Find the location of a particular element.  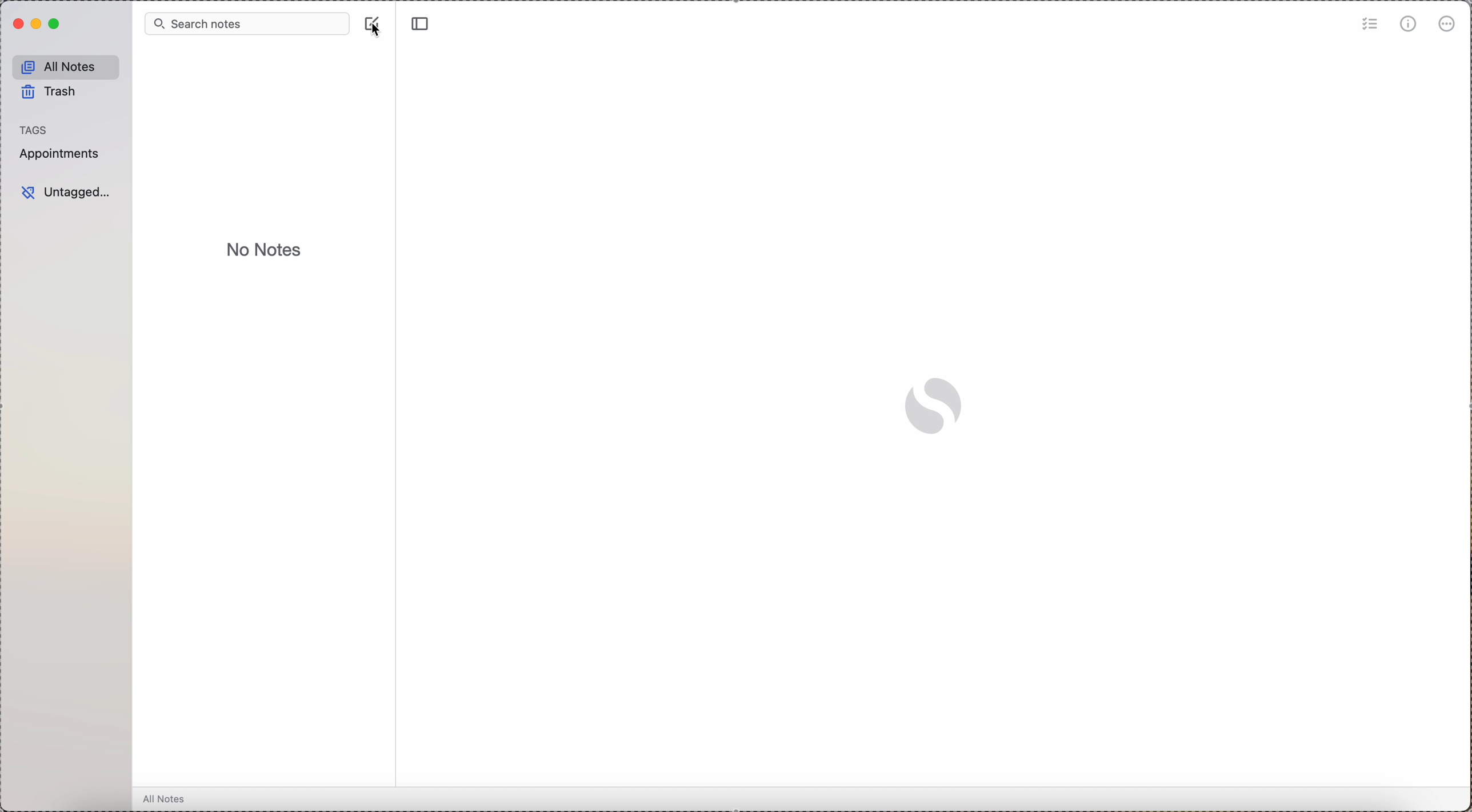

appointments is located at coordinates (62, 155).